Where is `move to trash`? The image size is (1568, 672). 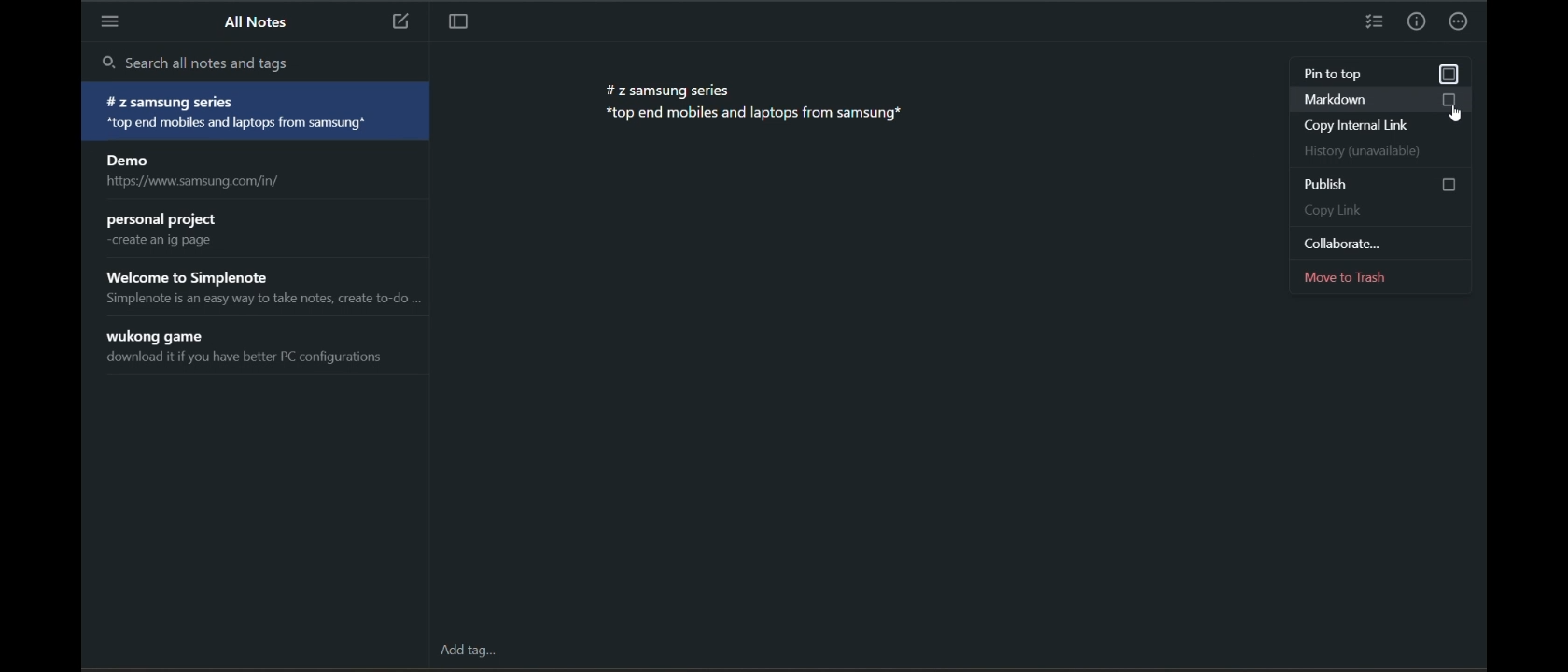
move to trash is located at coordinates (1379, 275).